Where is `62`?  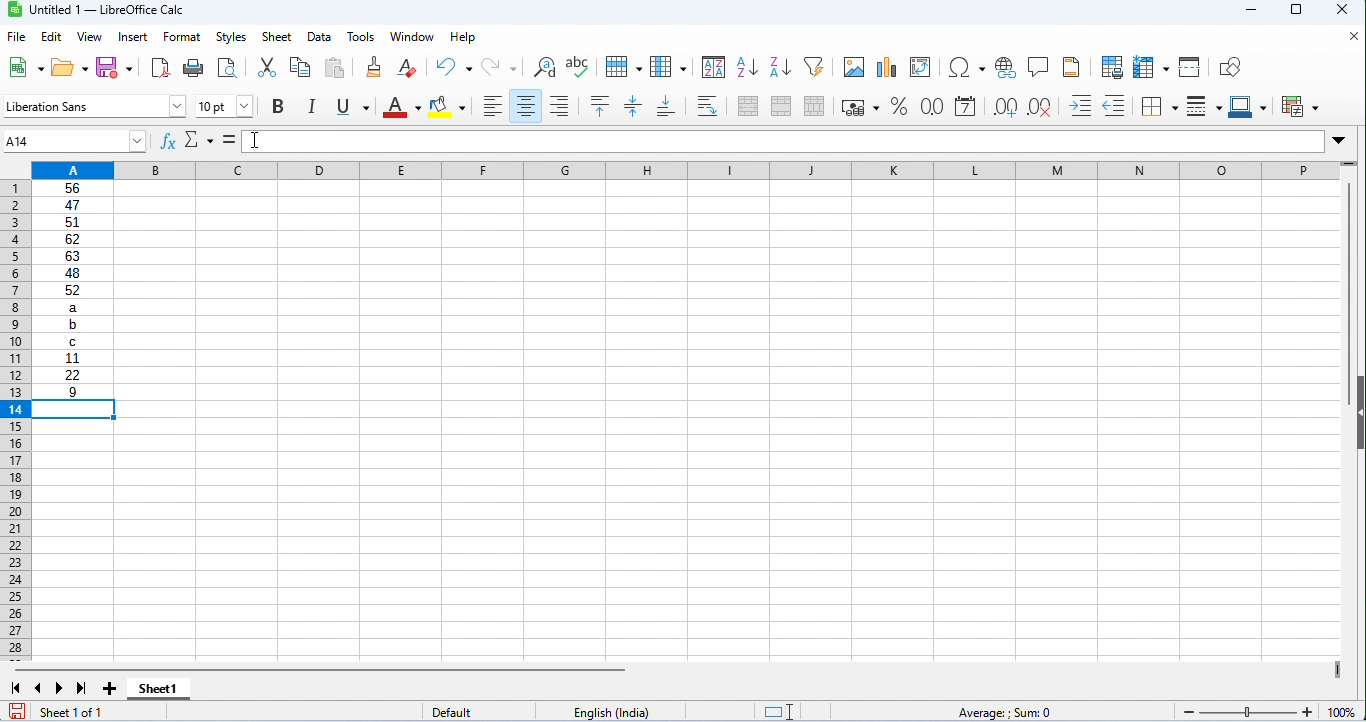 62 is located at coordinates (72, 239).